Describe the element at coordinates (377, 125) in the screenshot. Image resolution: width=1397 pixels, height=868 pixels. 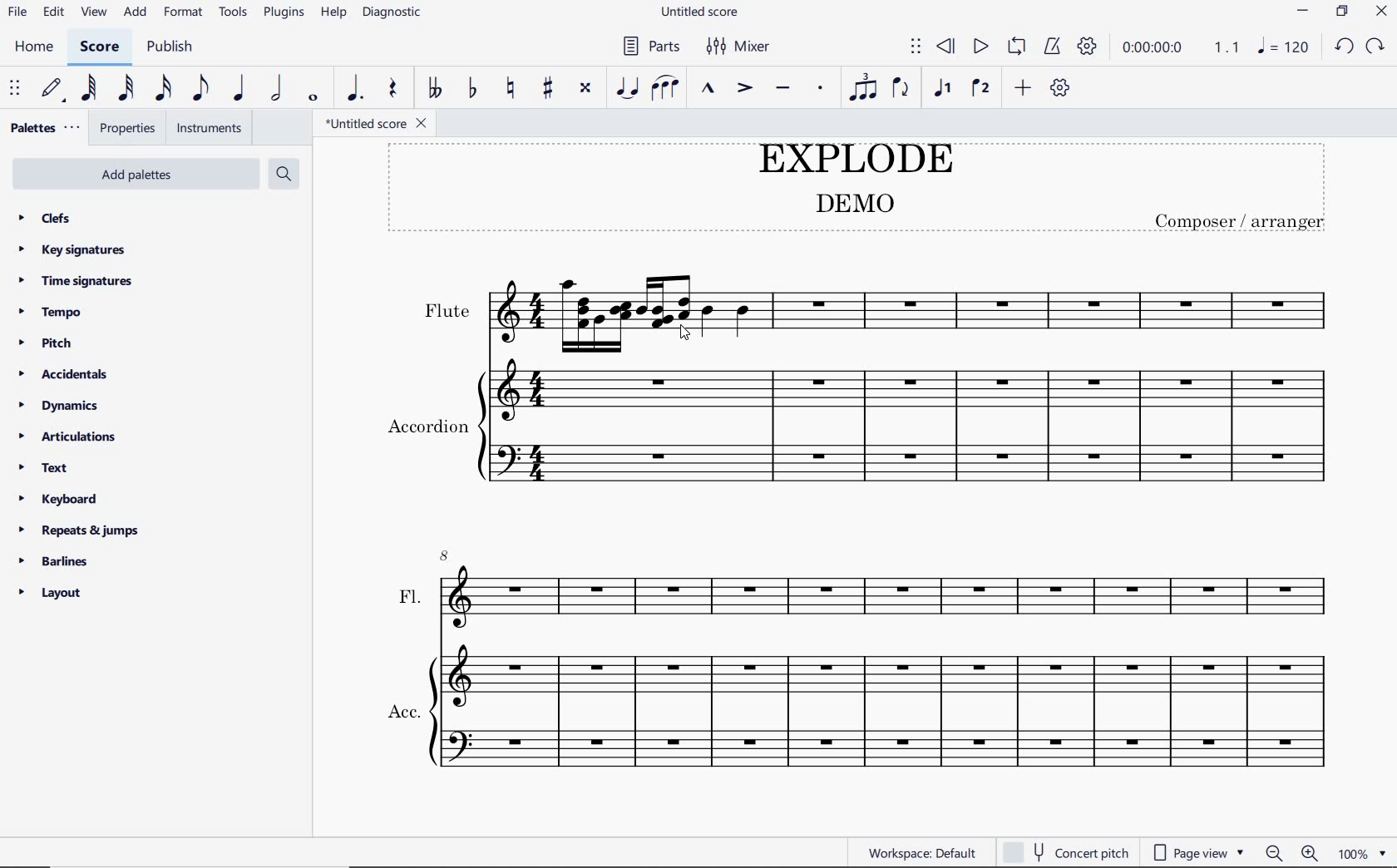
I see `file name` at that location.